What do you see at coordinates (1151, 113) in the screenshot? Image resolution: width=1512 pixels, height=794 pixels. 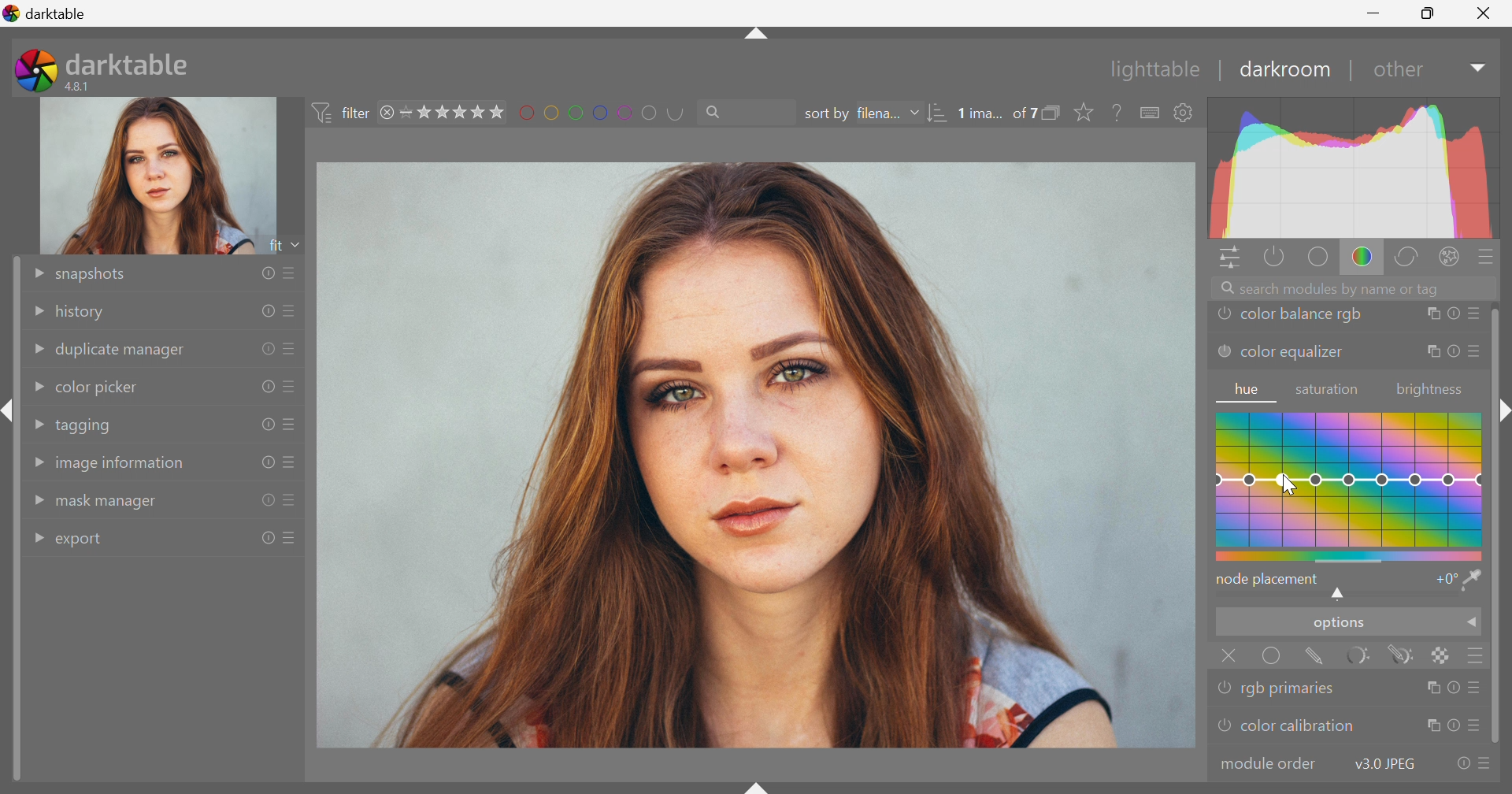 I see `define shortcuts` at bounding box center [1151, 113].